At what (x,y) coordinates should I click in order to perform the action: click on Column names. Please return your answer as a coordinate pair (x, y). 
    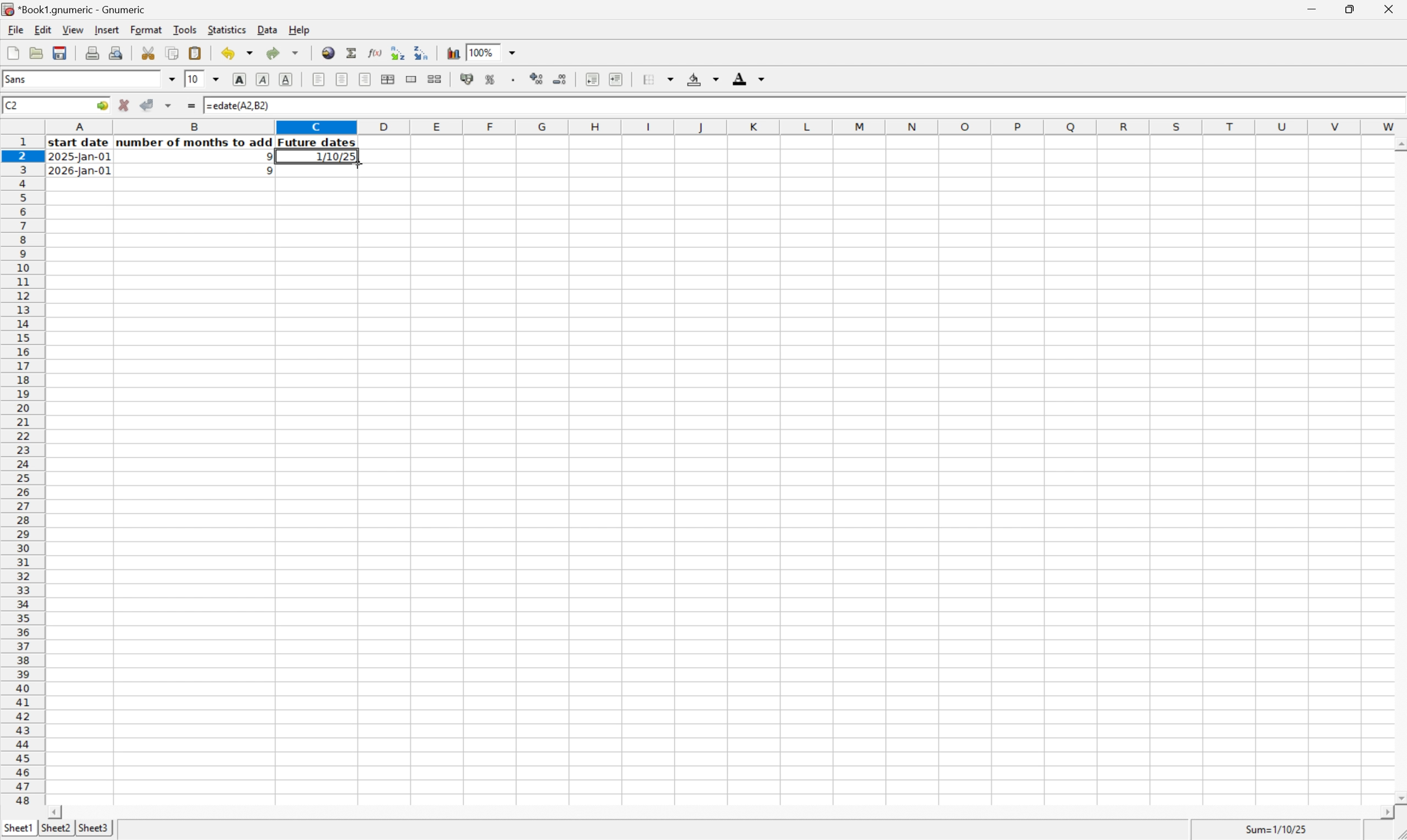
    Looking at the image, I should click on (726, 127).